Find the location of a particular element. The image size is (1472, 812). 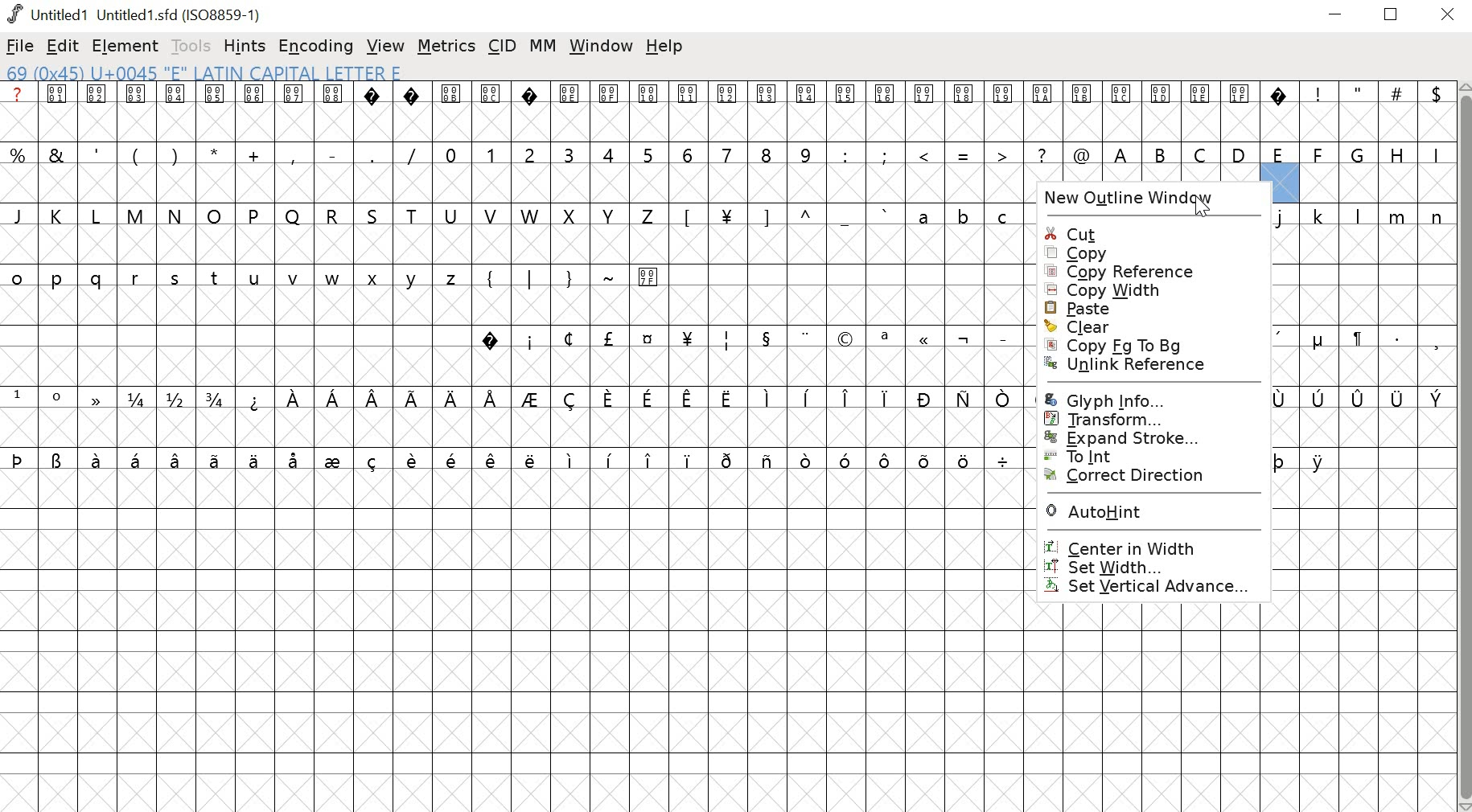

To int is located at coordinates (1145, 454).